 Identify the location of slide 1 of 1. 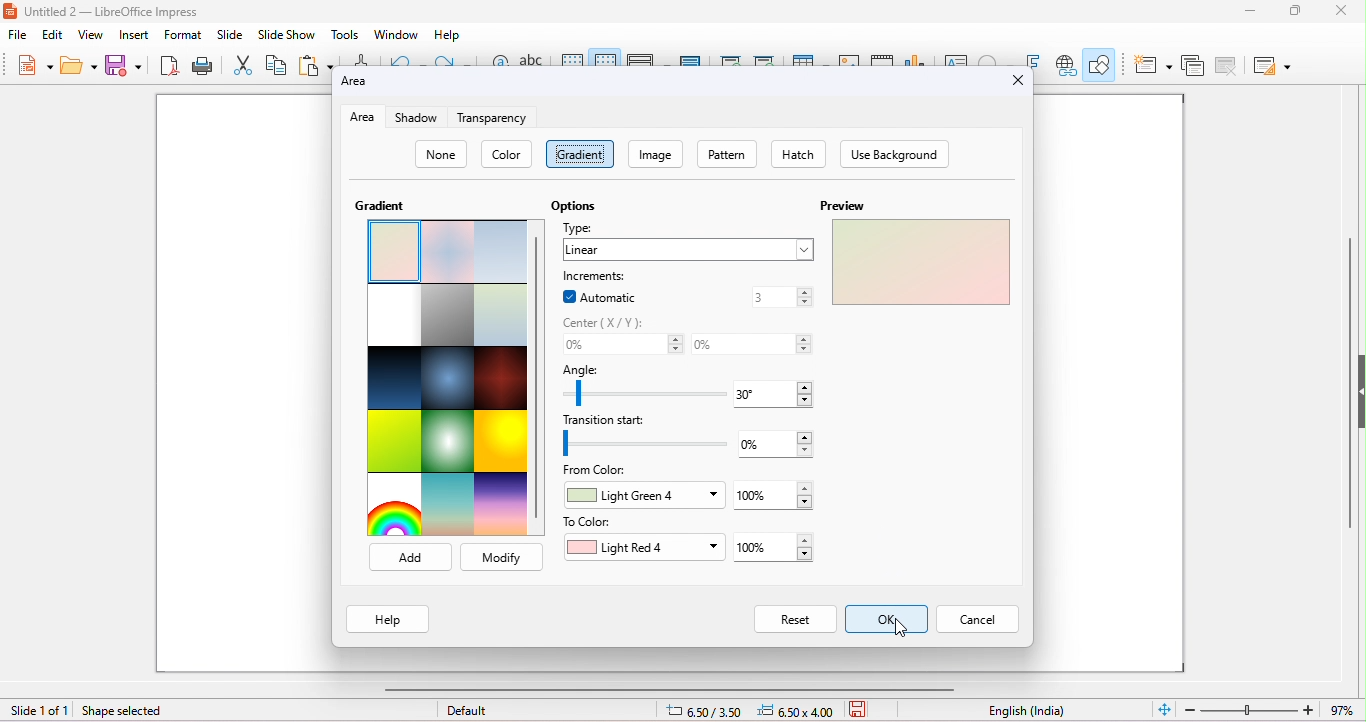
(39, 711).